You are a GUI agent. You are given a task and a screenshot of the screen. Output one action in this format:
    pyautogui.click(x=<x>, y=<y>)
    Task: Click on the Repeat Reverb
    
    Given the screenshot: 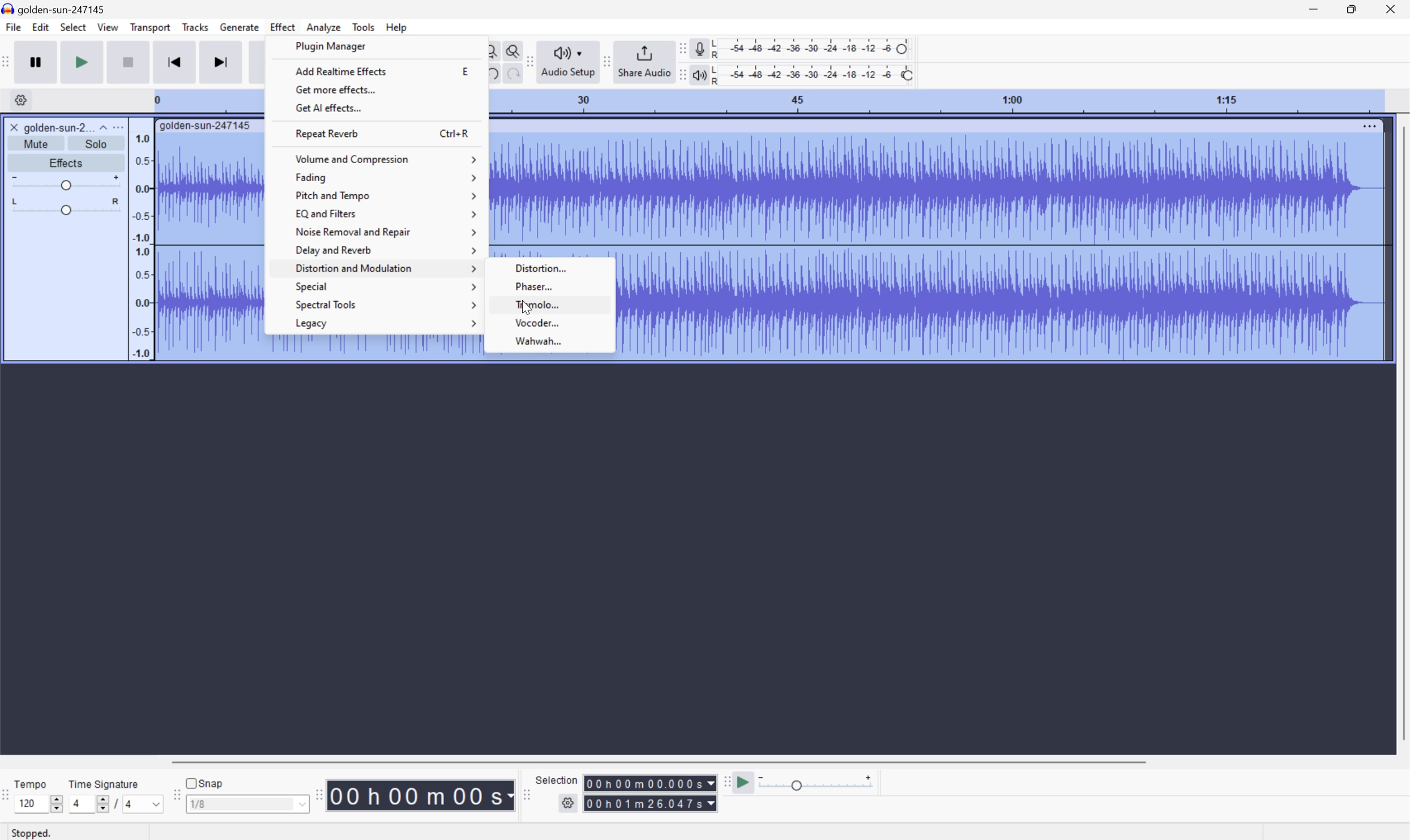 What is the action you would take?
    pyautogui.click(x=330, y=132)
    